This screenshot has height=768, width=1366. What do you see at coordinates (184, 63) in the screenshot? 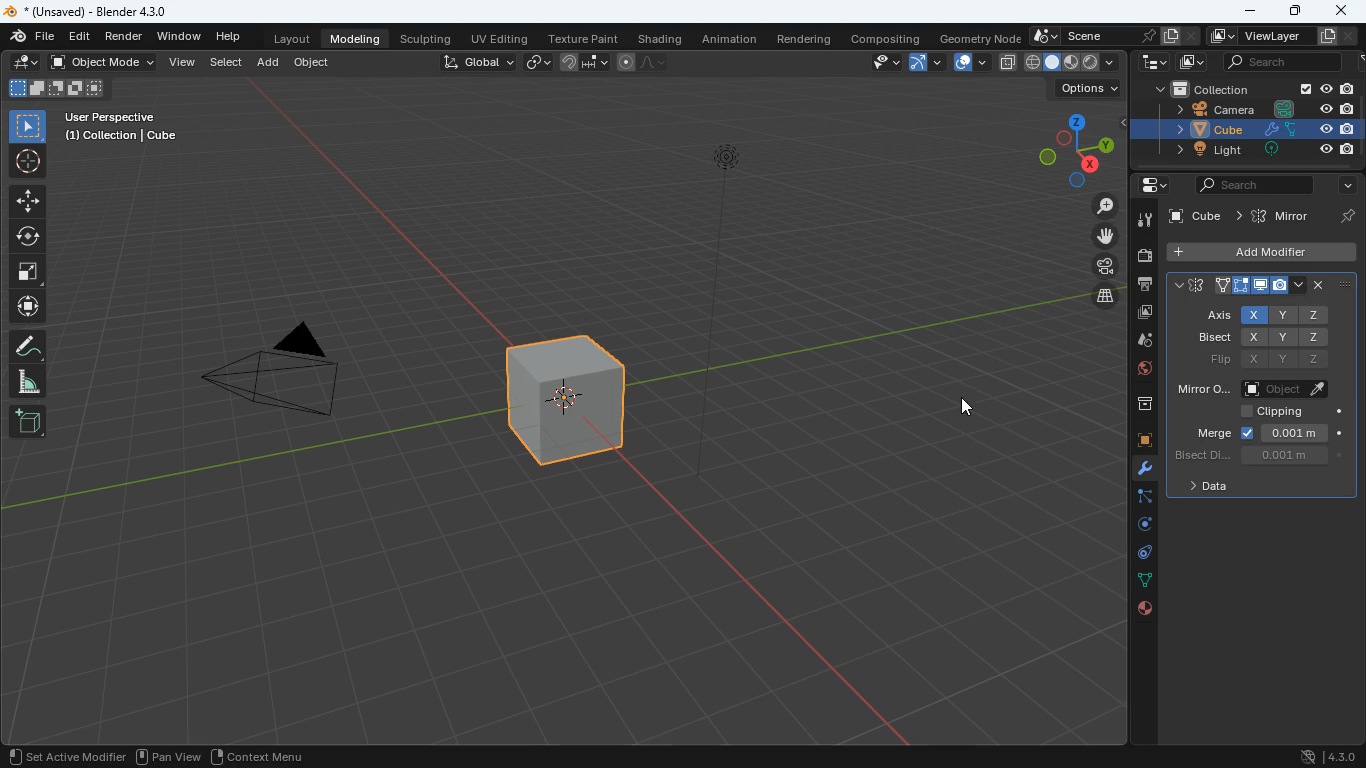
I see `view` at bounding box center [184, 63].